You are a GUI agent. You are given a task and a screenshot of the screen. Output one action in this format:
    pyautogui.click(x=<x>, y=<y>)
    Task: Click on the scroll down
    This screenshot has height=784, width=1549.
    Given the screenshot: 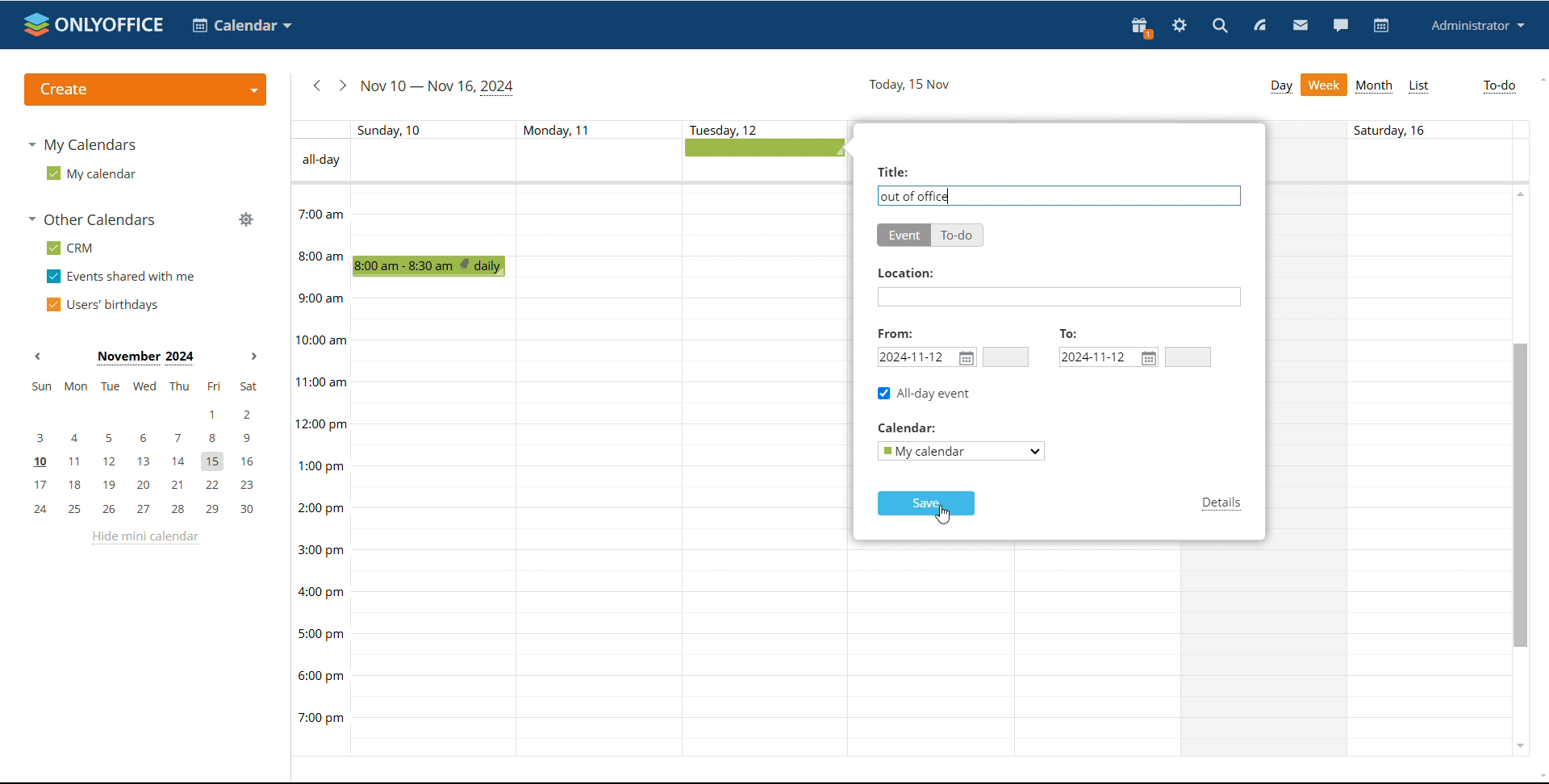 What is the action you would take?
    pyautogui.click(x=1539, y=777)
    